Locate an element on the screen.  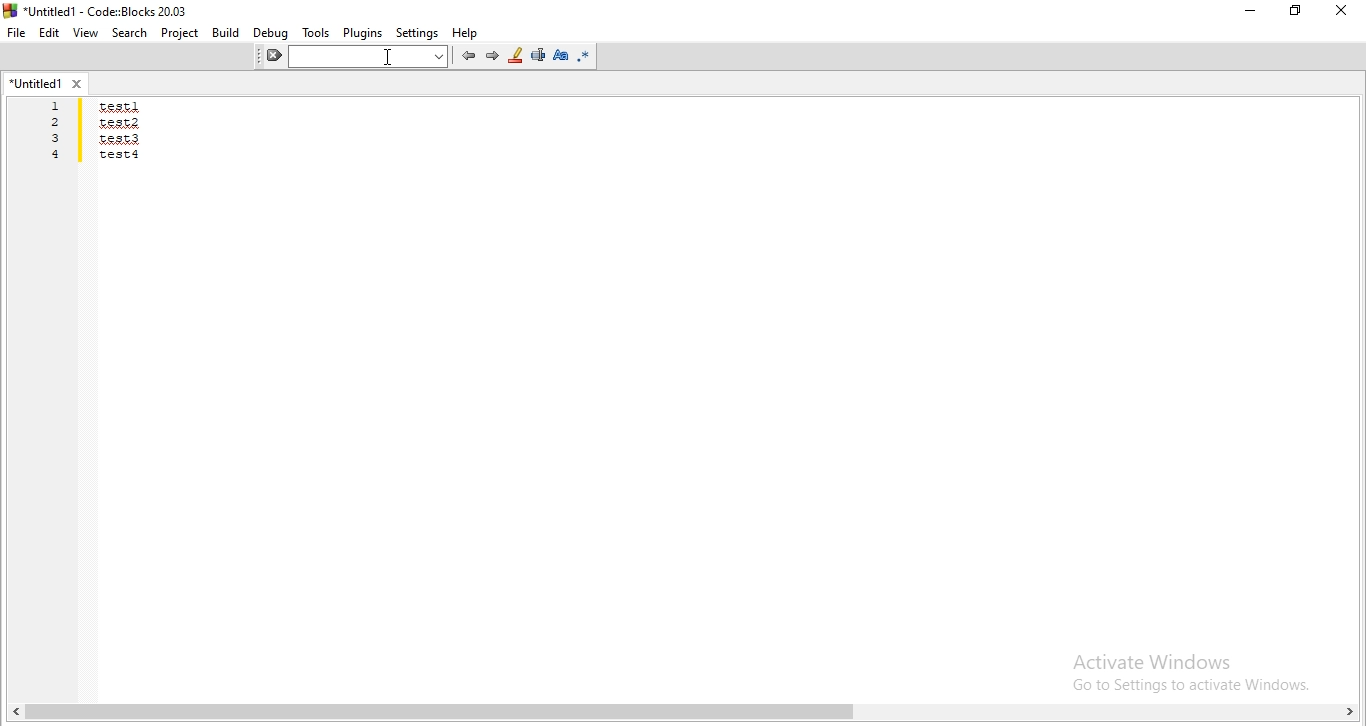
Help is located at coordinates (466, 33).